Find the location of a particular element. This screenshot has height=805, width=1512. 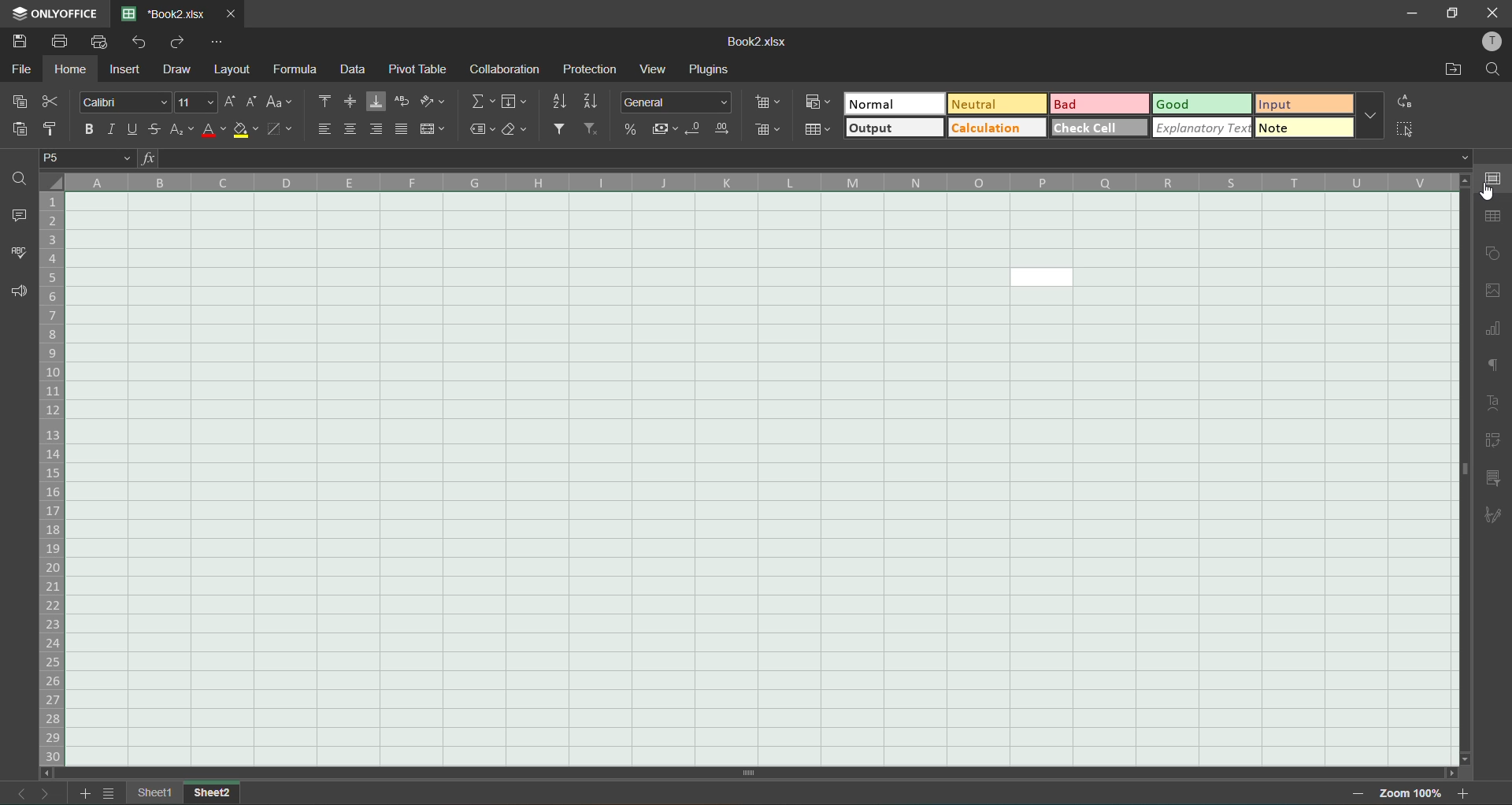

data is located at coordinates (355, 72).